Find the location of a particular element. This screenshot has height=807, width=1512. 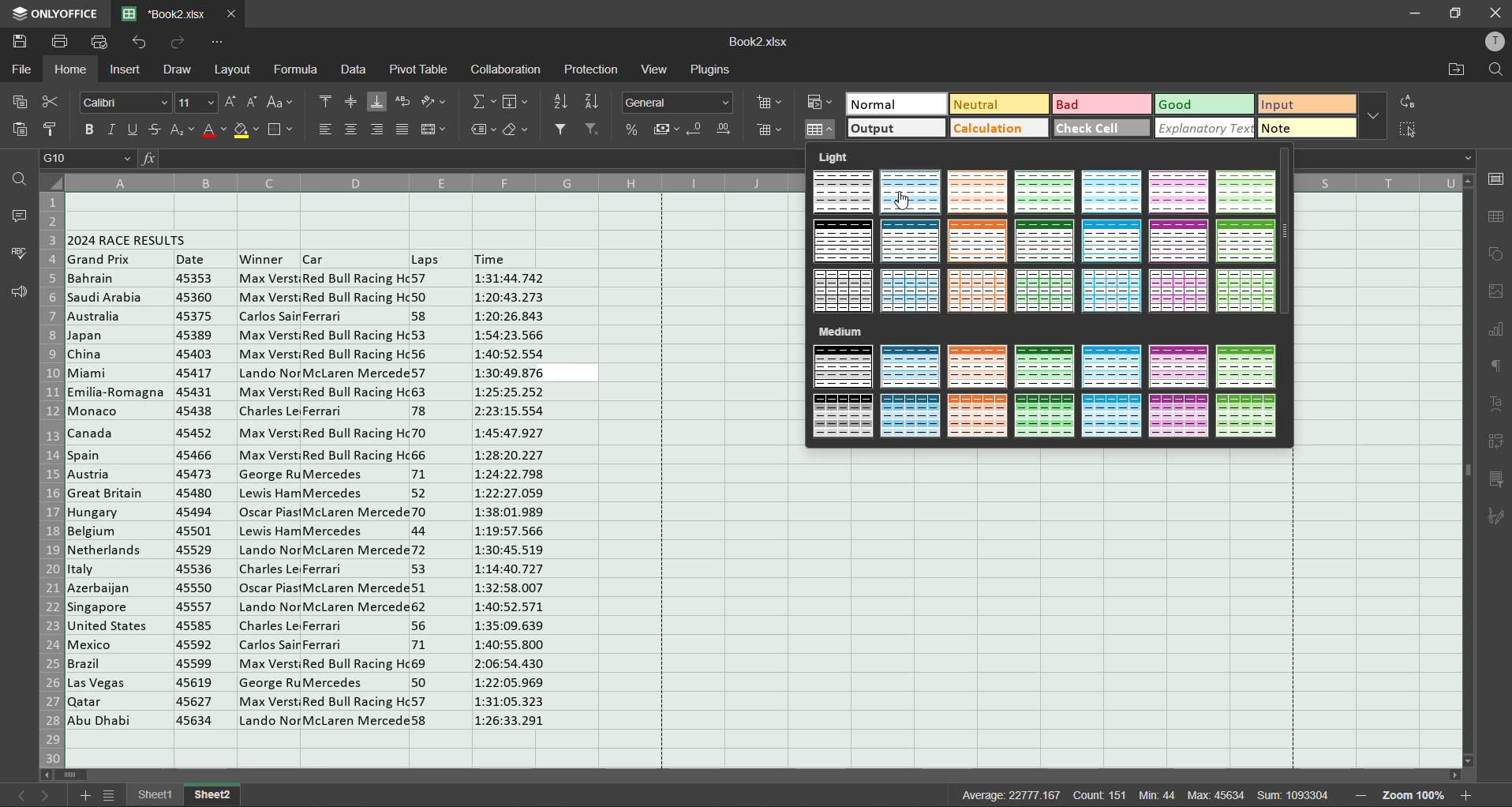

save is located at coordinates (62, 44).